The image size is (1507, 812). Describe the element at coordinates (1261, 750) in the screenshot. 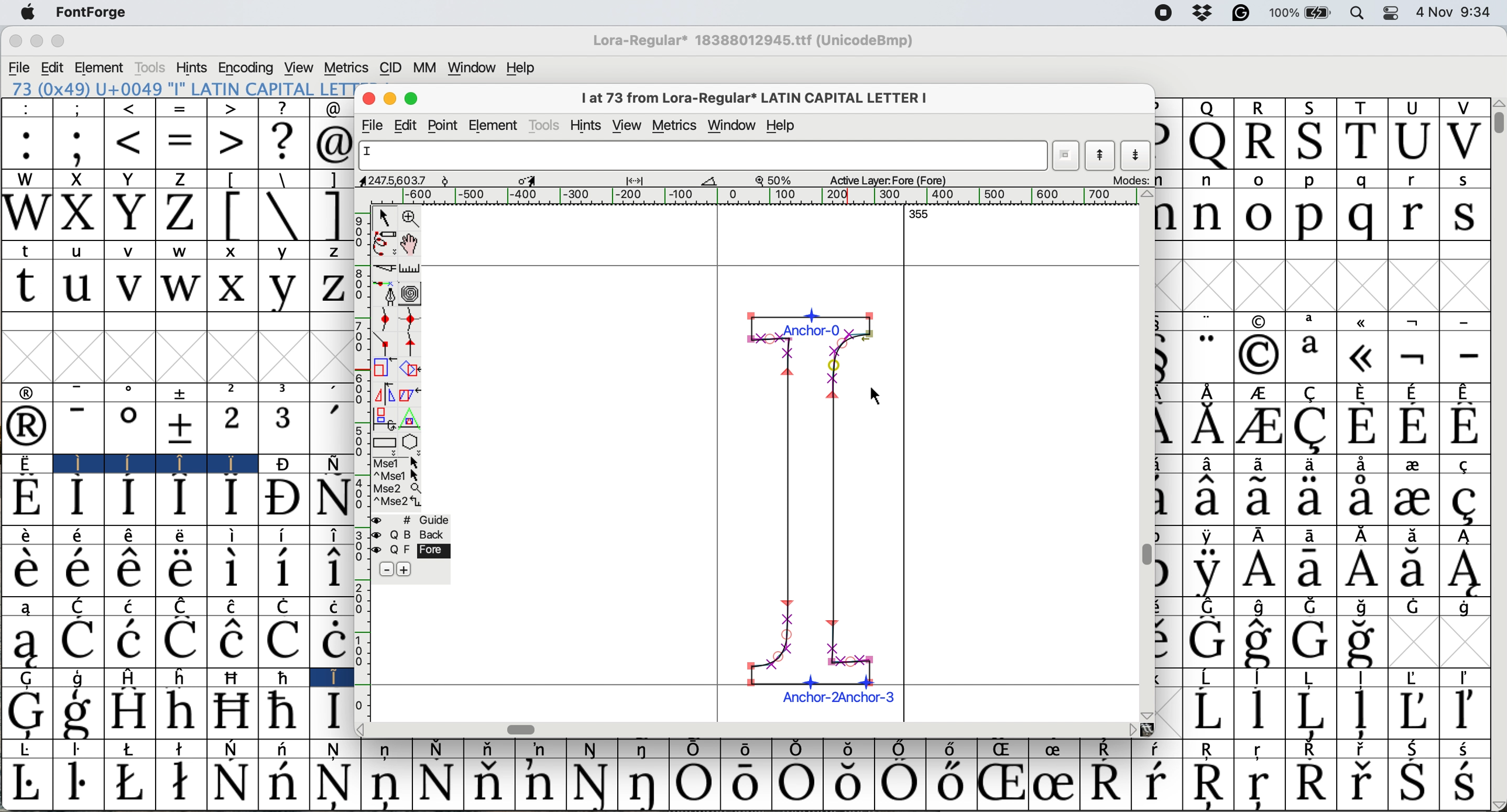

I see `Symbol` at that location.